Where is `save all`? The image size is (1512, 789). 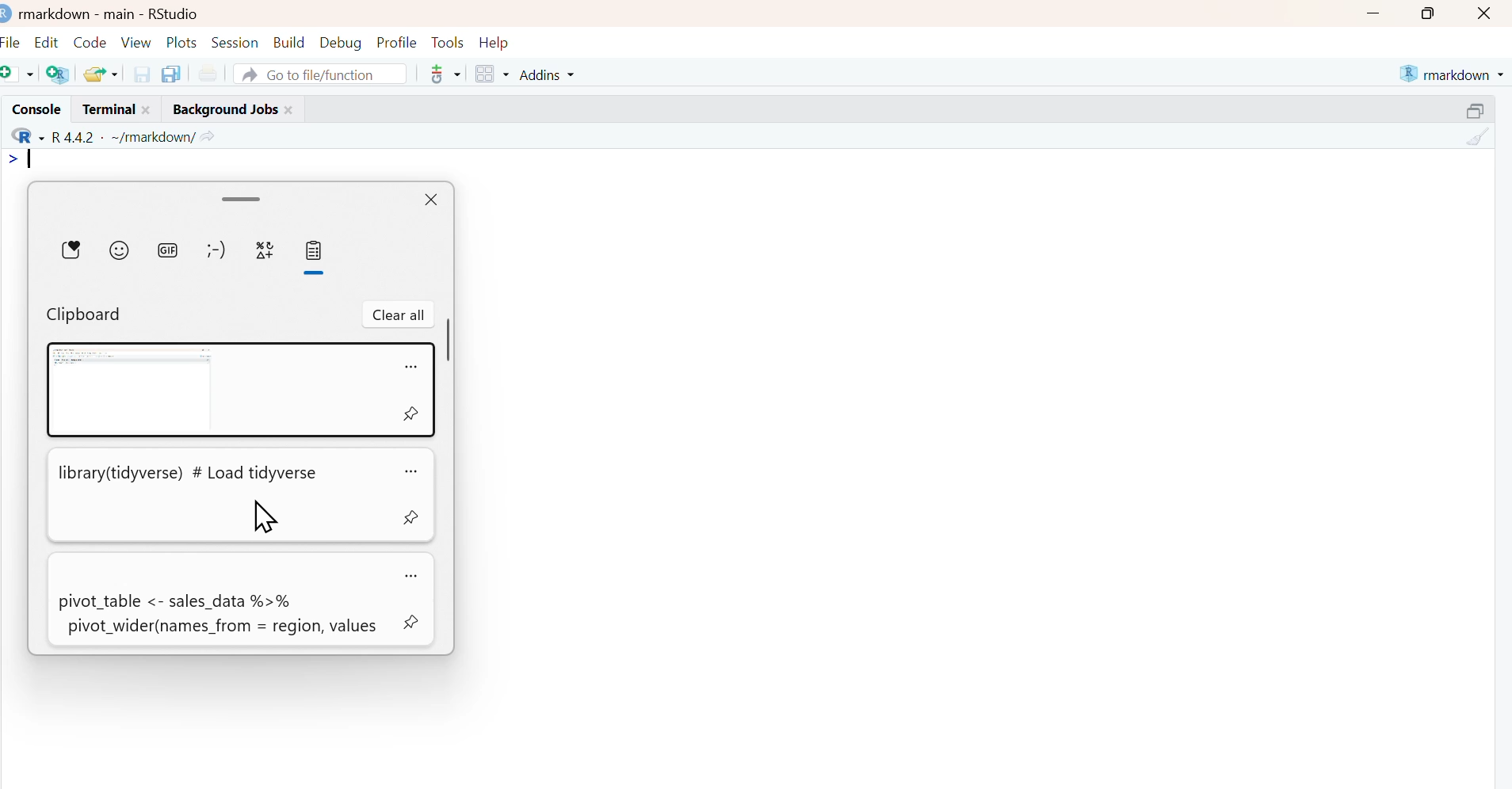
save all is located at coordinates (170, 73).